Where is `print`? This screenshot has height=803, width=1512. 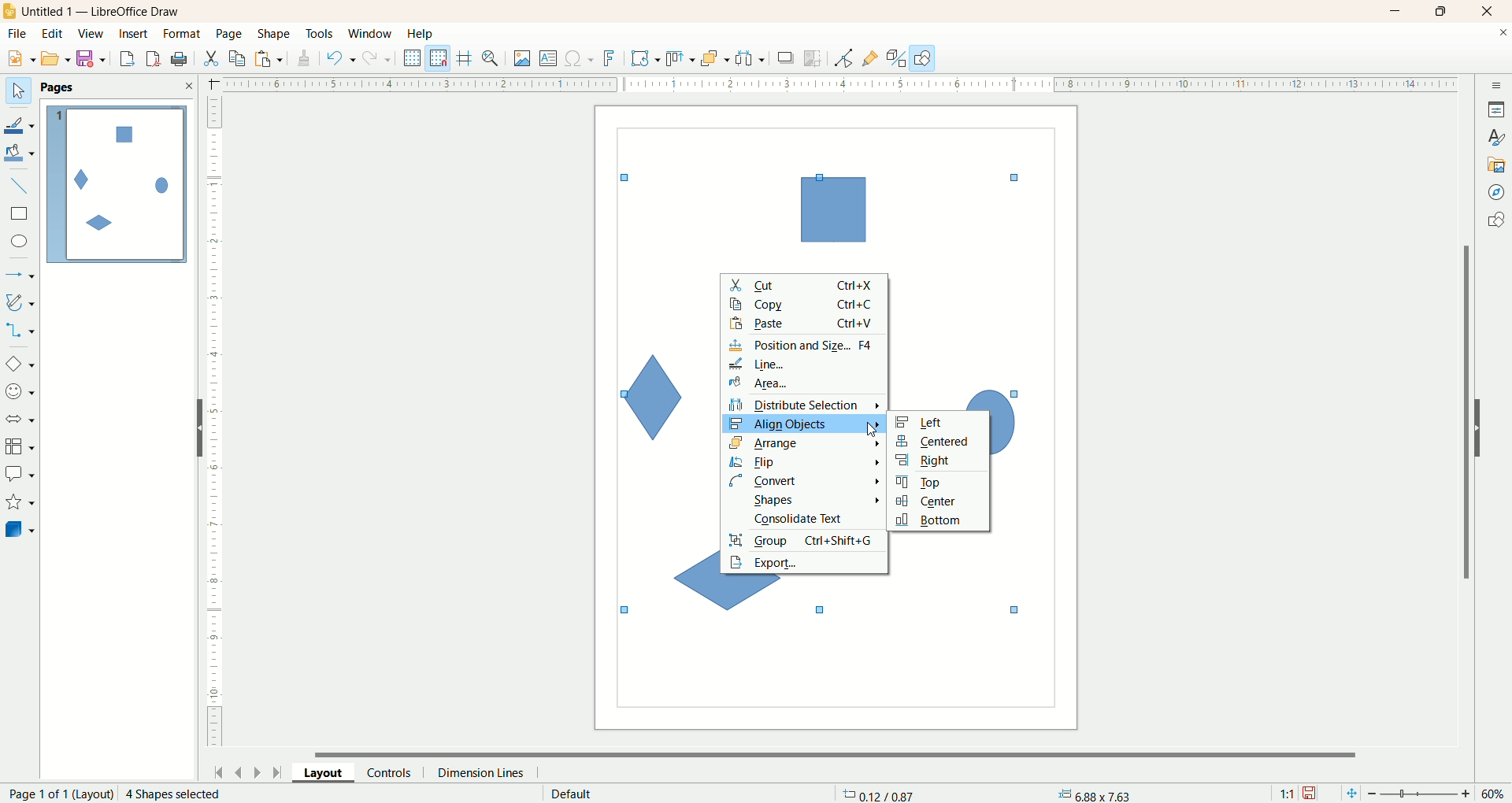 print is located at coordinates (155, 58).